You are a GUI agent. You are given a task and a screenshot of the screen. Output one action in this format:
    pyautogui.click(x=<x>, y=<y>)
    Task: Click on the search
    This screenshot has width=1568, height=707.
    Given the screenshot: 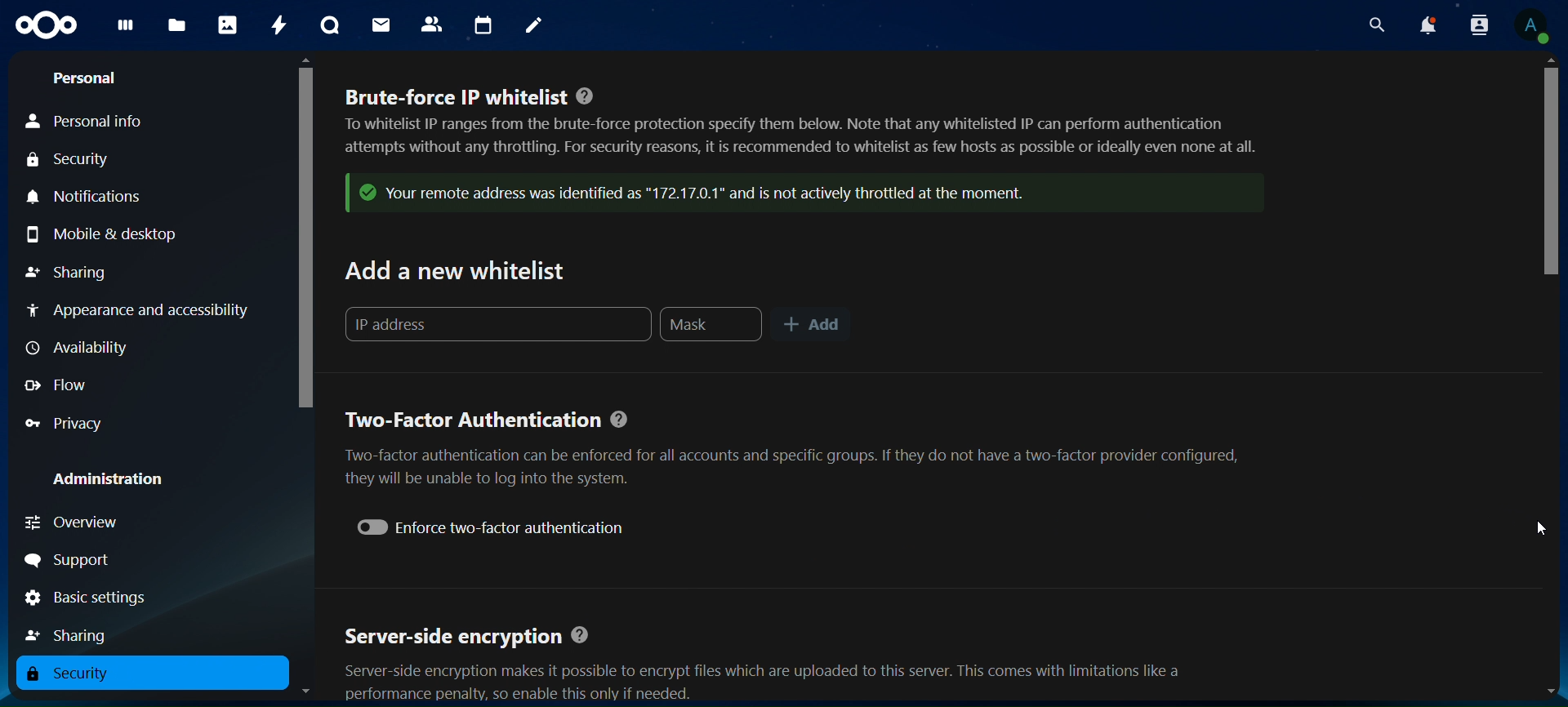 What is the action you would take?
    pyautogui.click(x=1377, y=25)
    